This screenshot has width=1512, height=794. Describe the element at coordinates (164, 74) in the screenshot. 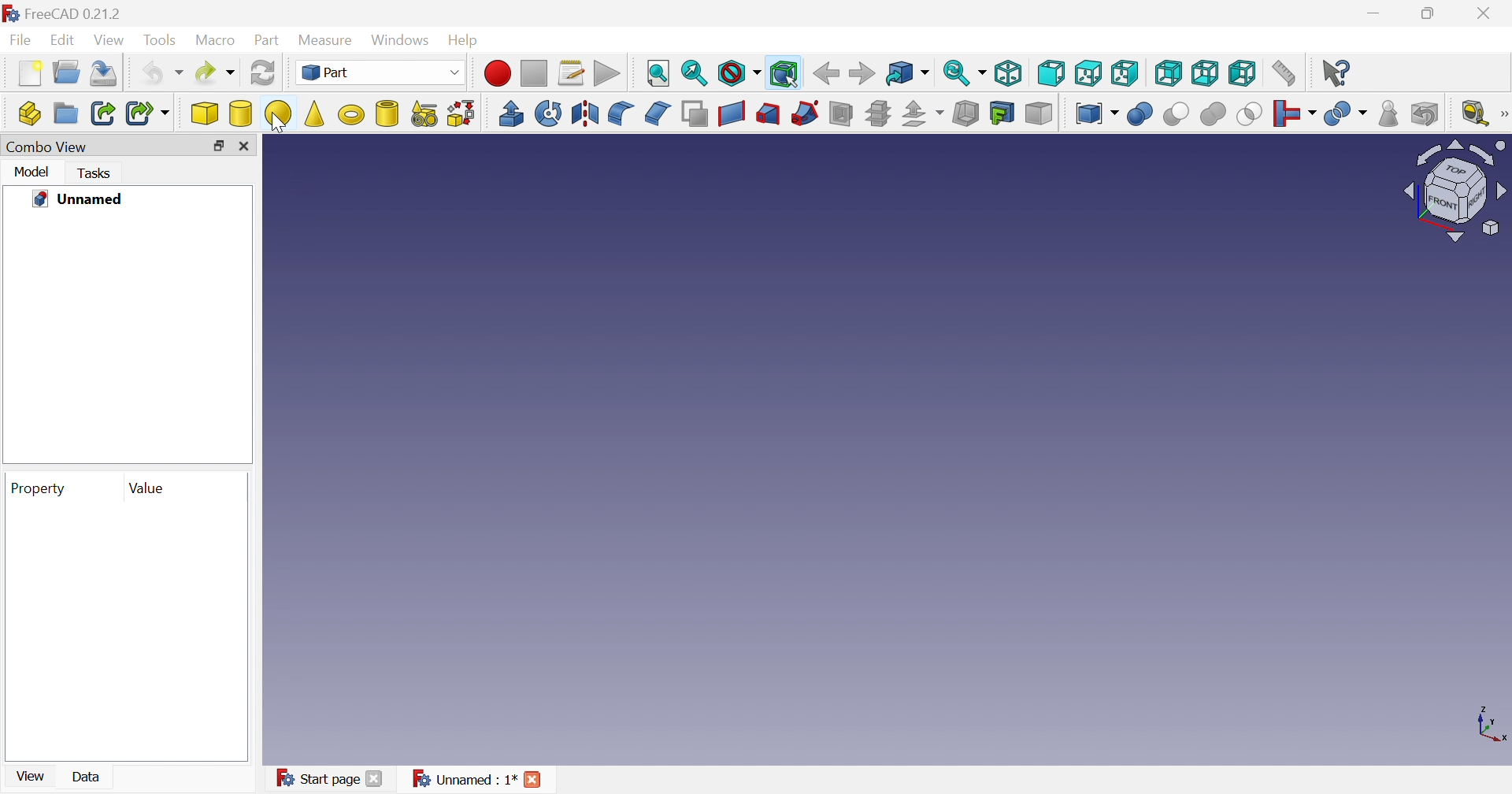

I see `Undo` at that location.